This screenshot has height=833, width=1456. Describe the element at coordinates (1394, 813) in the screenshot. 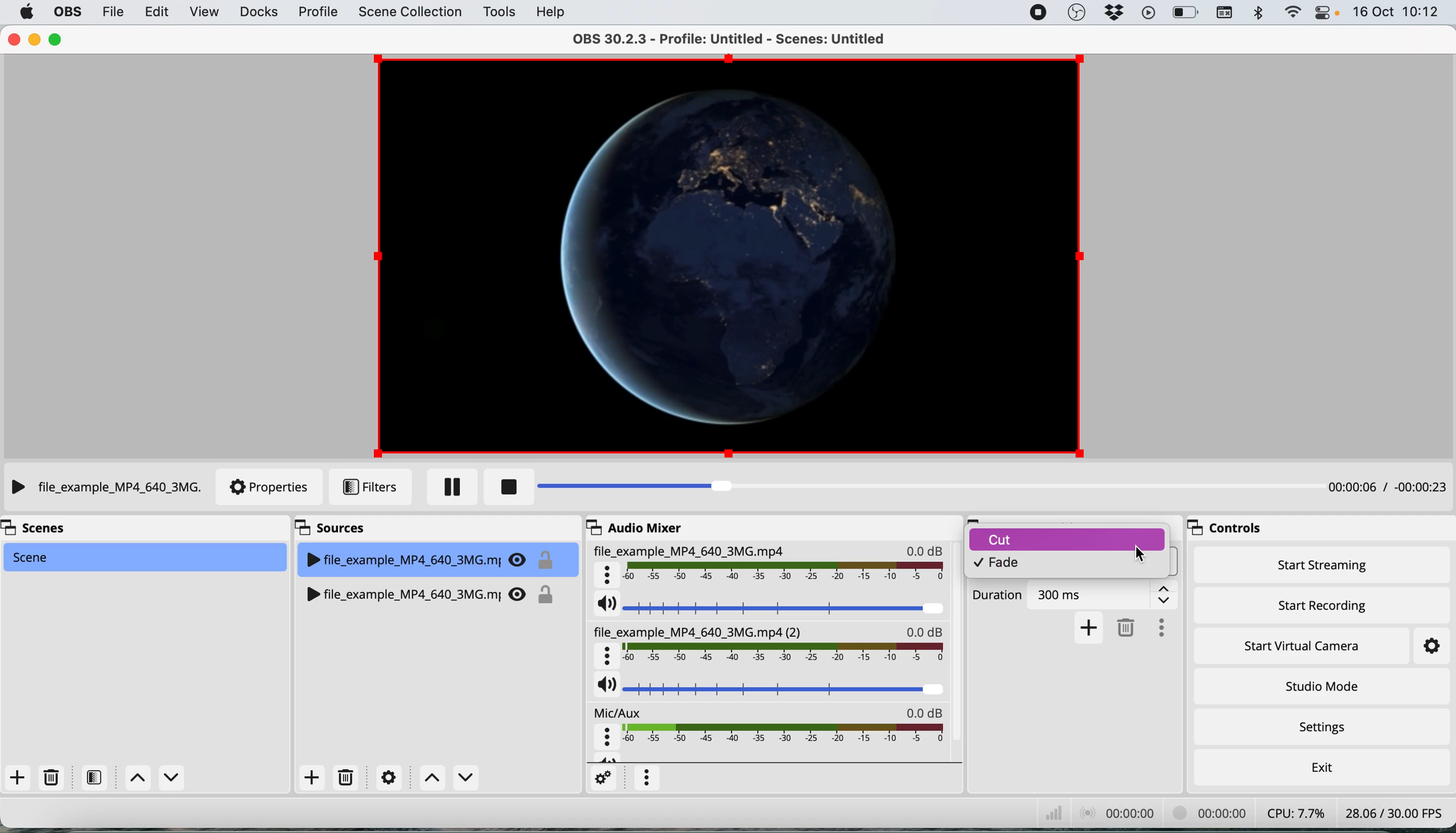

I see `28.06 /30.00 FPS` at that location.